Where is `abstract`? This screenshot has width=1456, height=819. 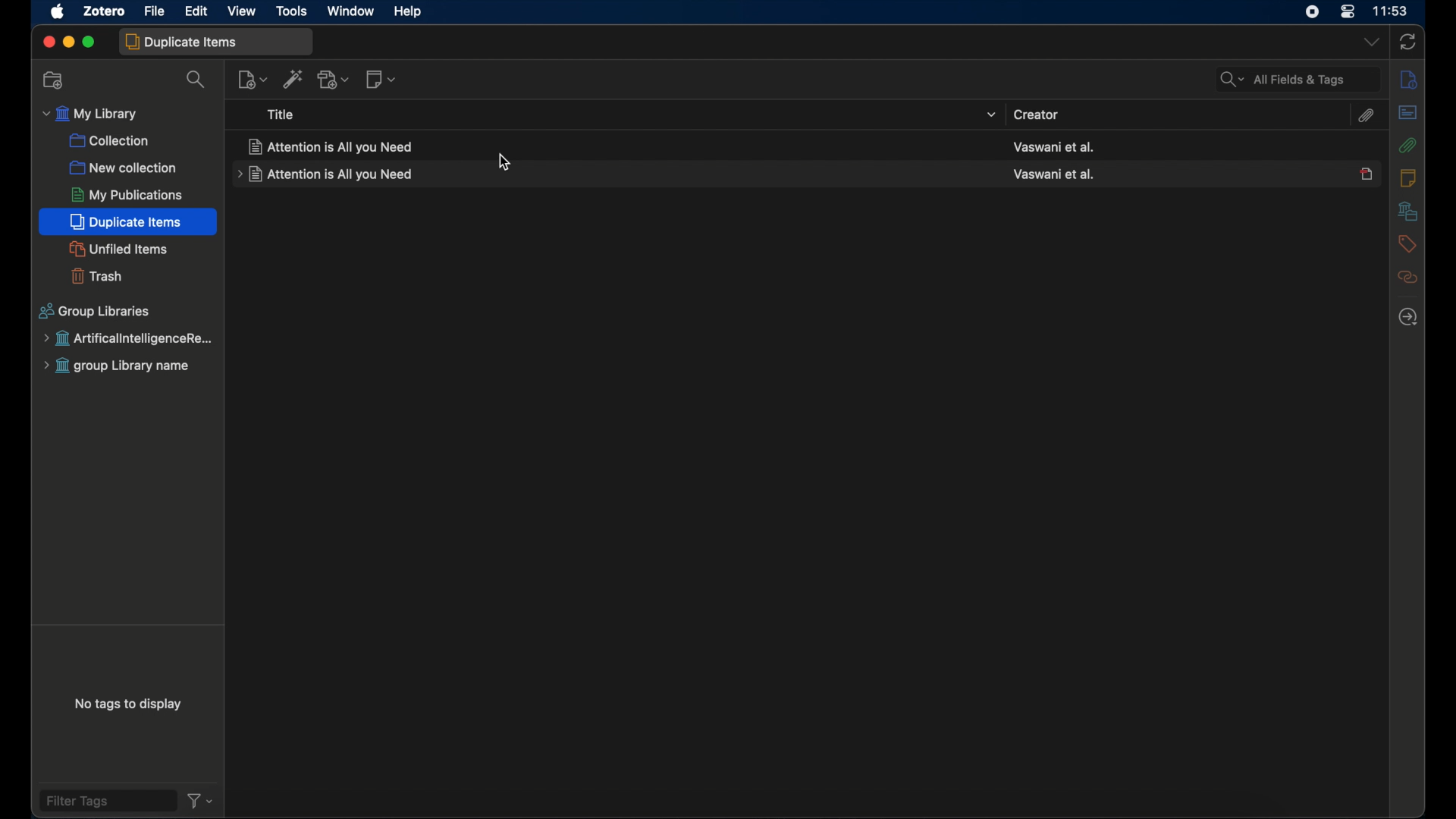 abstract is located at coordinates (1408, 113).